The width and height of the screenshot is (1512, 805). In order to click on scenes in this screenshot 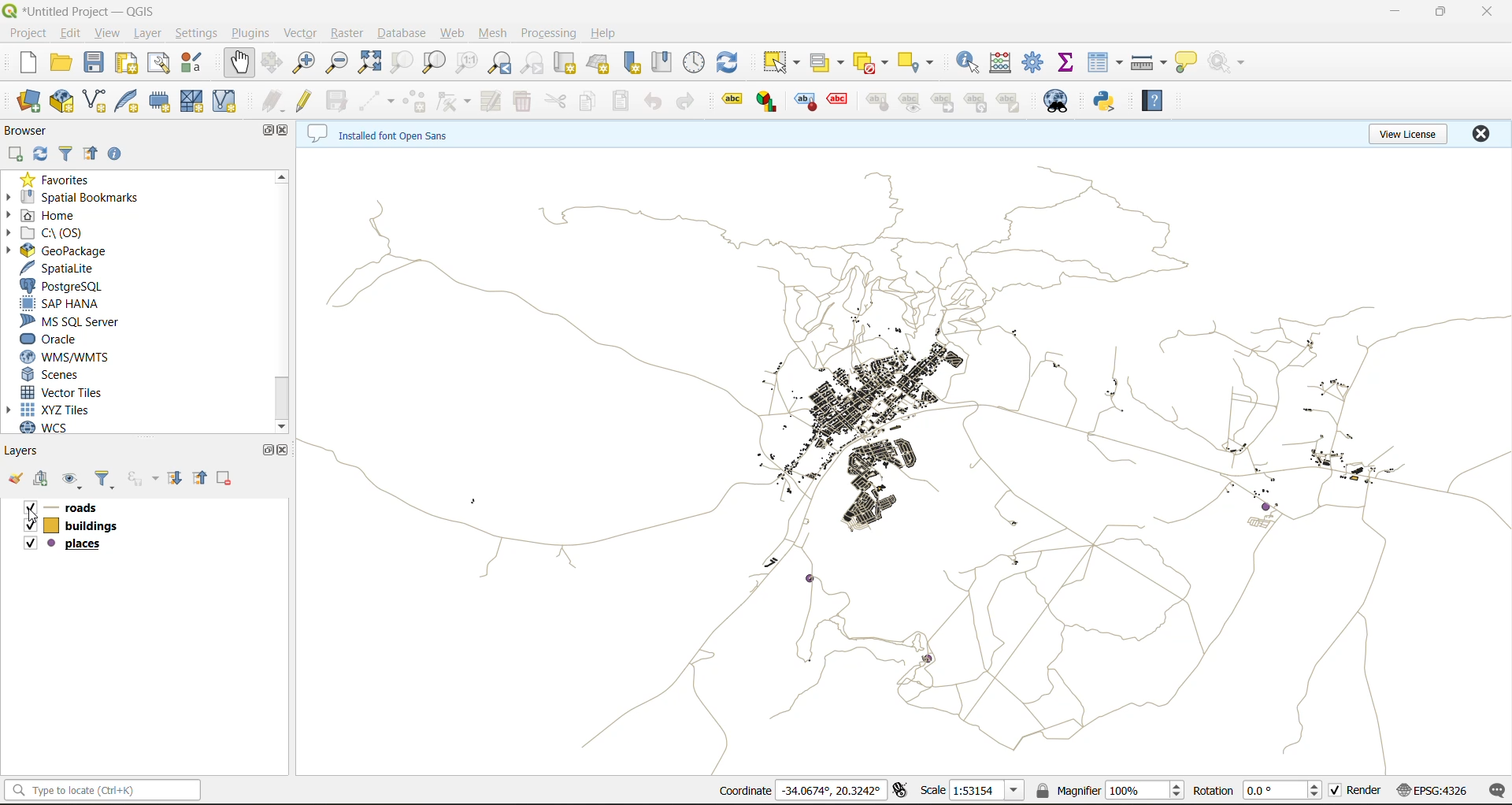, I will do `click(73, 374)`.